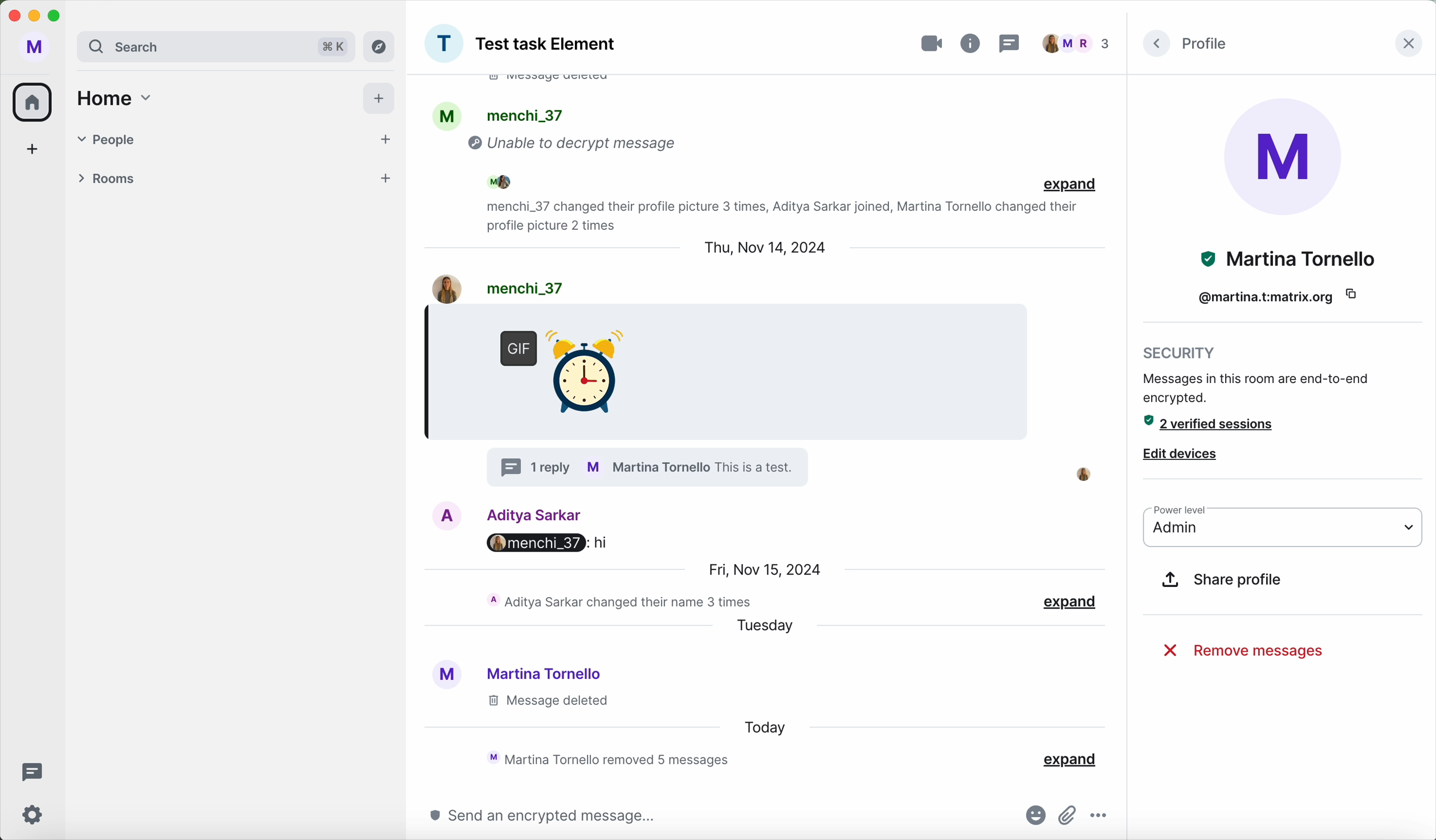 This screenshot has width=1436, height=840. What do you see at coordinates (119, 100) in the screenshot?
I see `home` at bounding box center [119, 100].